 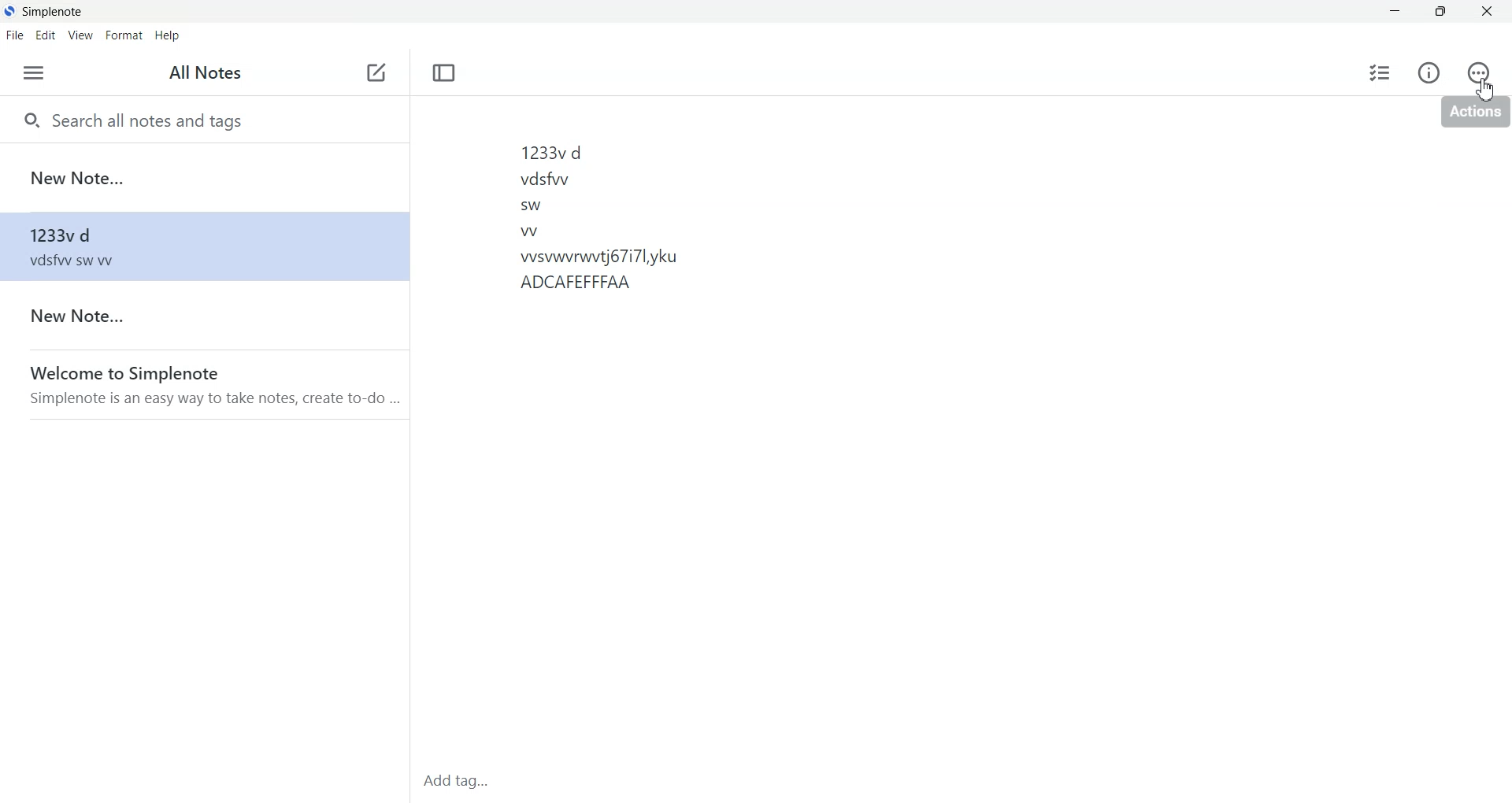 I want to click on Toggle focus mode, so click(x=443, y=73).